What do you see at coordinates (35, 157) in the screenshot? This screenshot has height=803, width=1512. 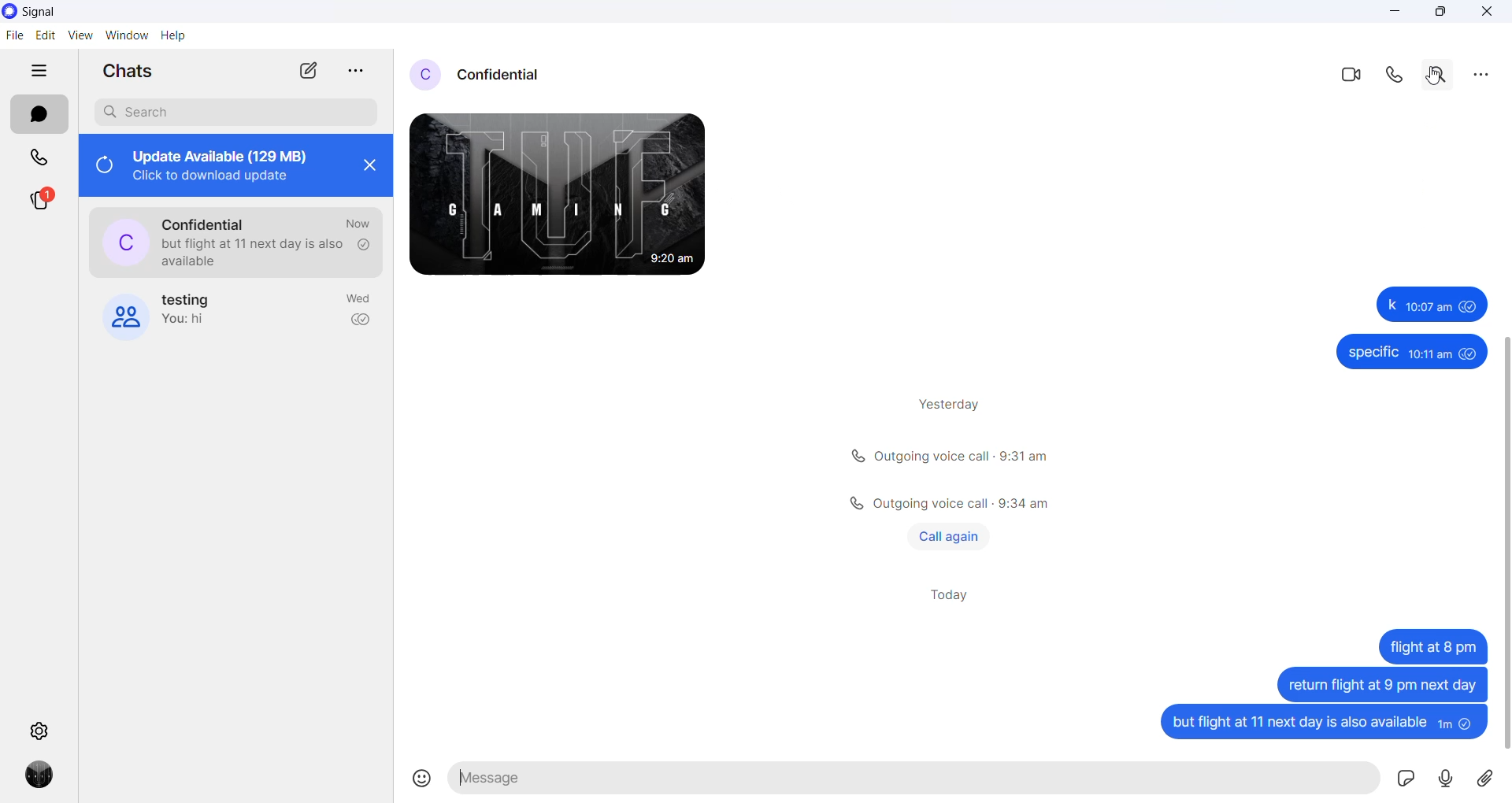 I see `calls` at bounding box center [35, 157].